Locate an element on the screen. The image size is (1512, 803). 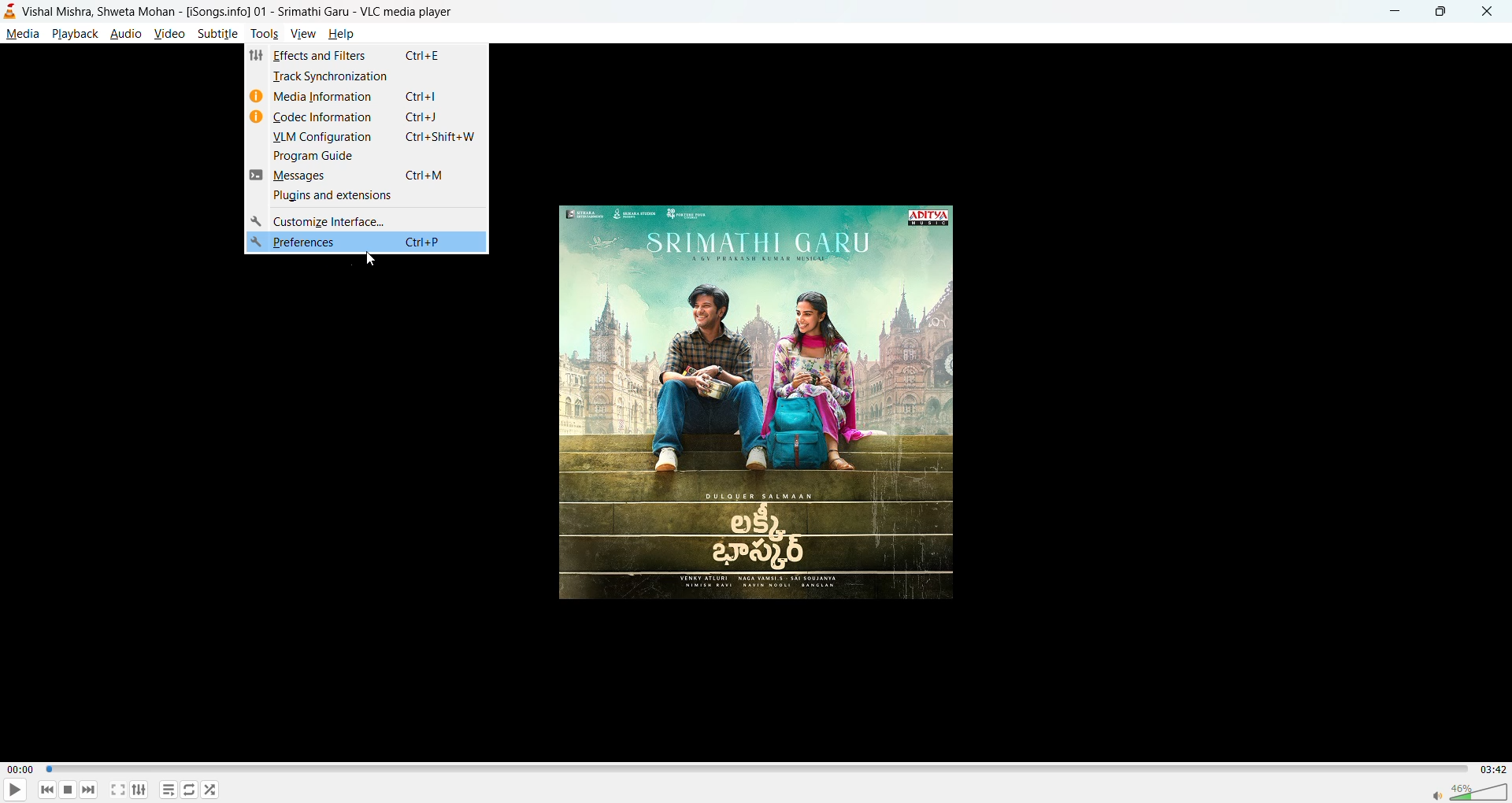
media information is located at coordinates (325, 97).